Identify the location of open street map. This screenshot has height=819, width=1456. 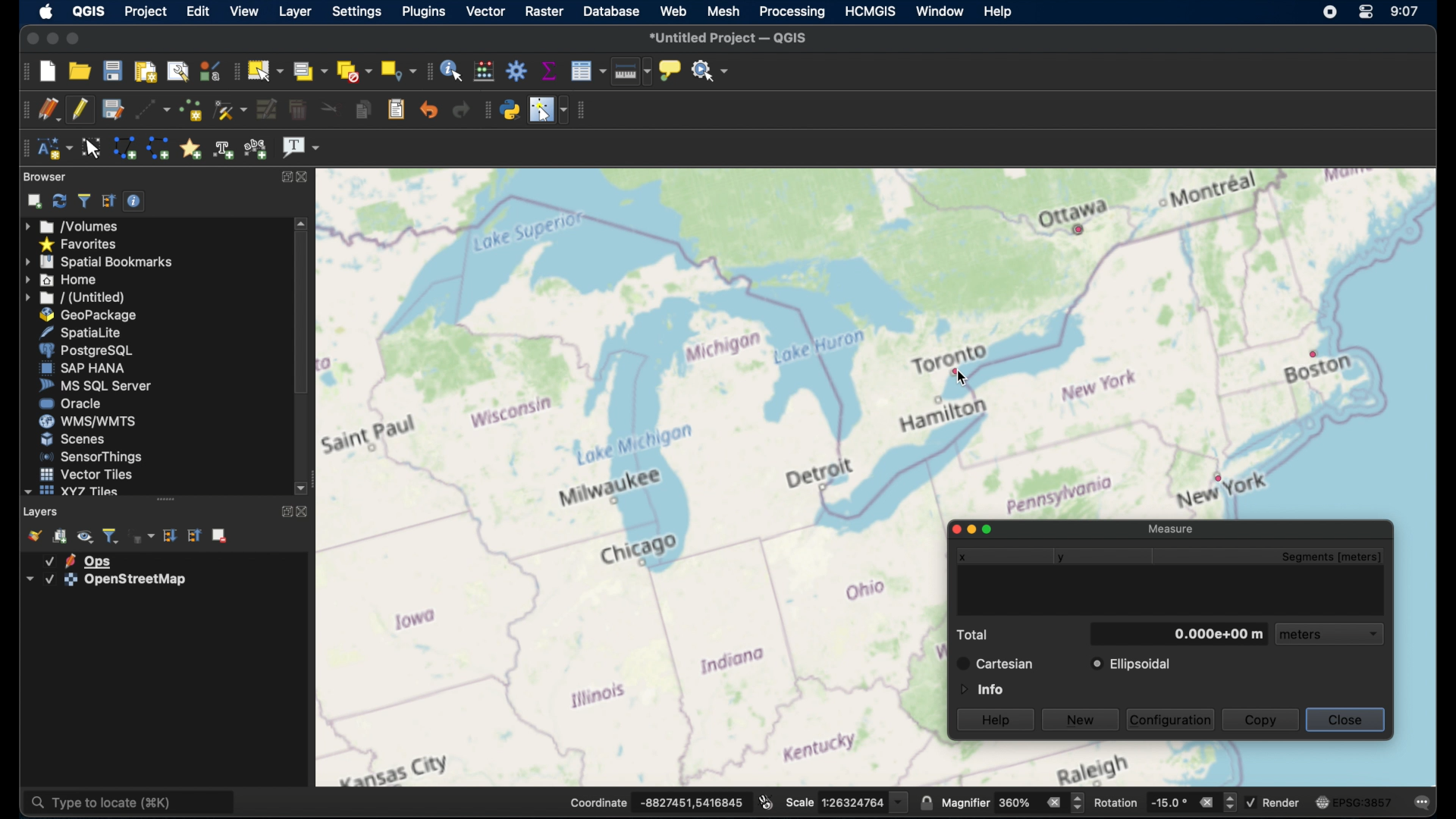
(1205, 374).